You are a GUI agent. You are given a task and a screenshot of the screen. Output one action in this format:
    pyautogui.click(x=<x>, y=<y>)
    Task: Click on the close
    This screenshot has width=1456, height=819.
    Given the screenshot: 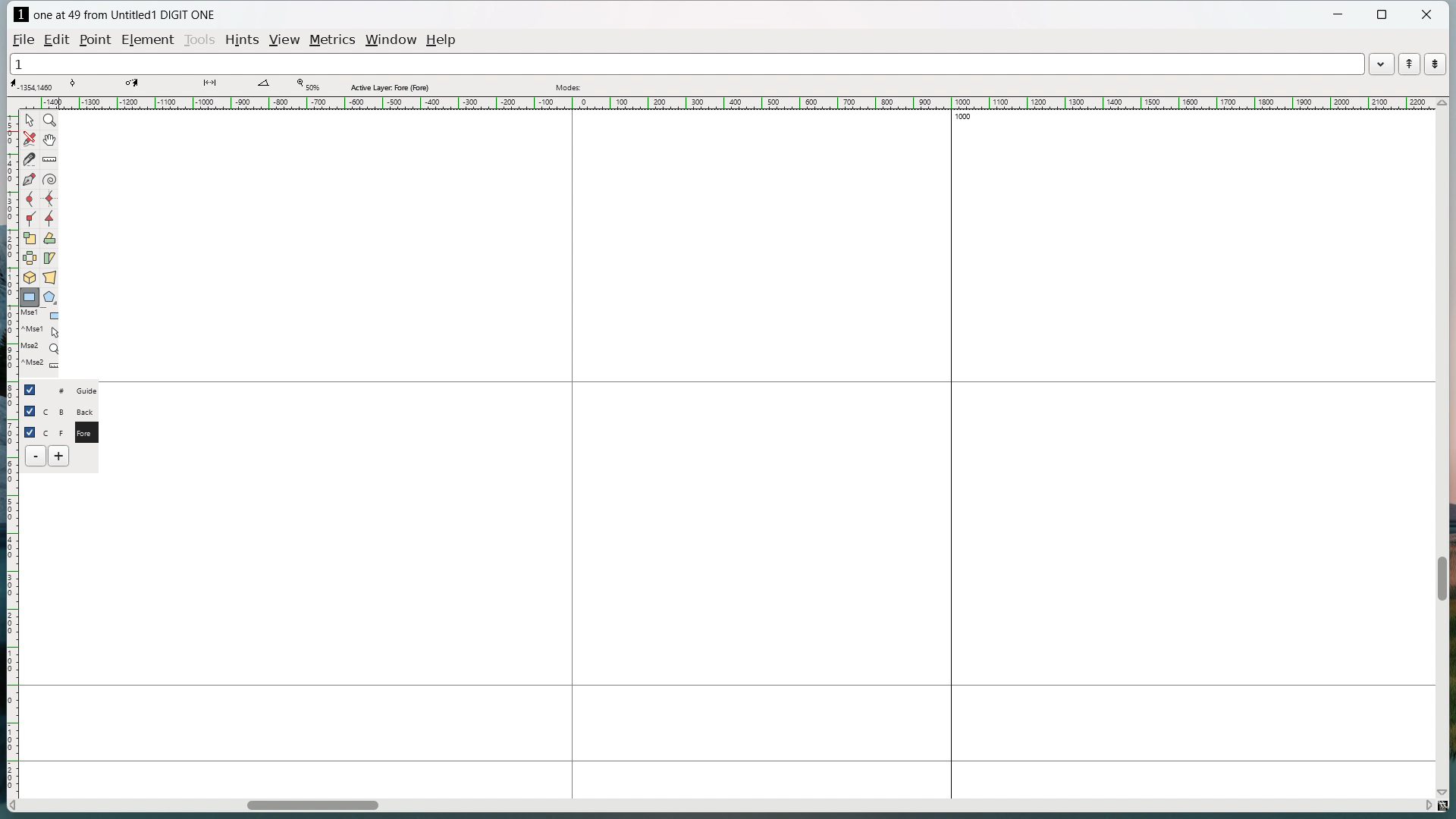 What is the action you would take?
    pyautogui.click(x=1426, y=14)
    